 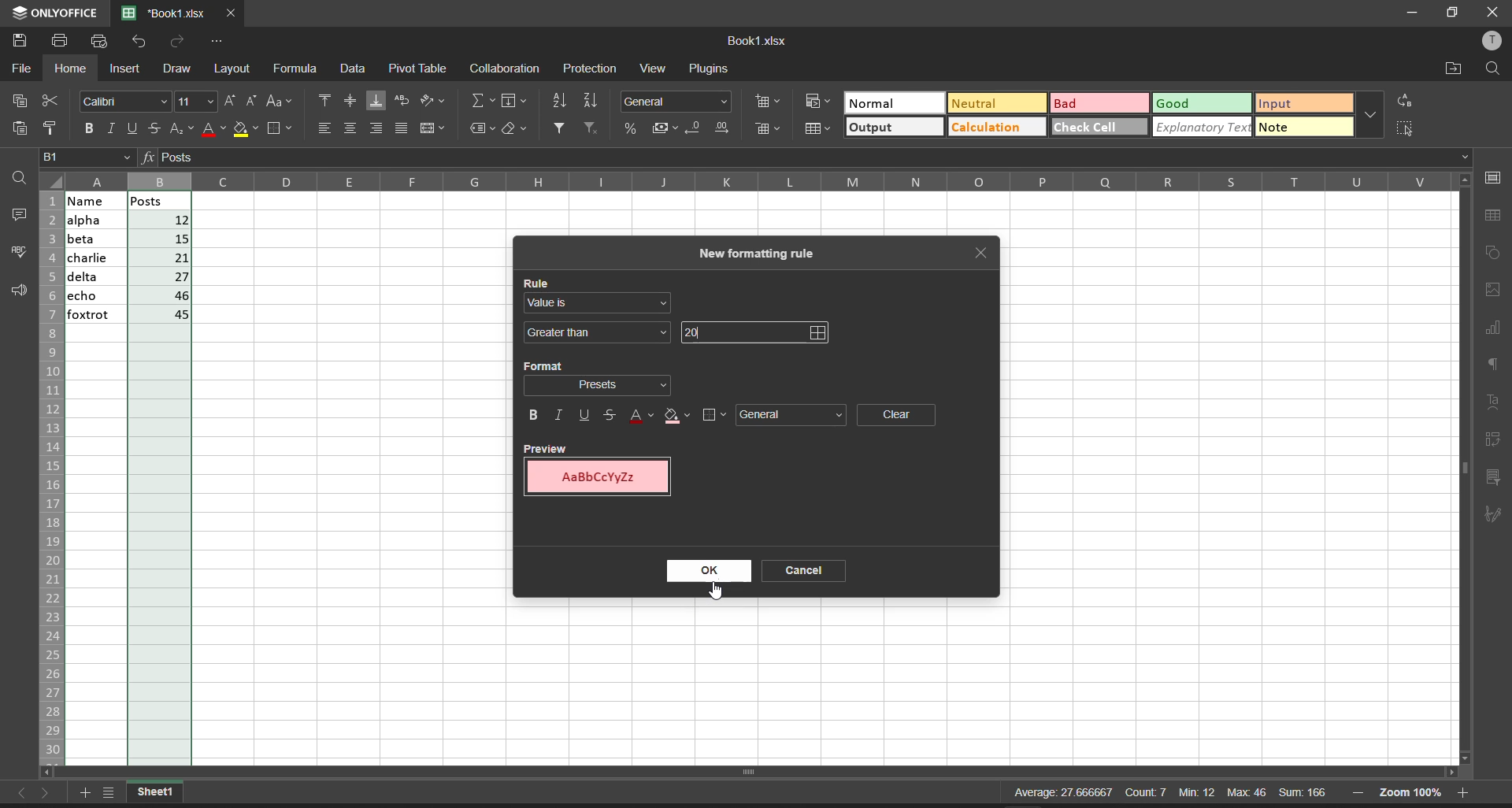 I want to click on draw, so click(x=178, y=68).